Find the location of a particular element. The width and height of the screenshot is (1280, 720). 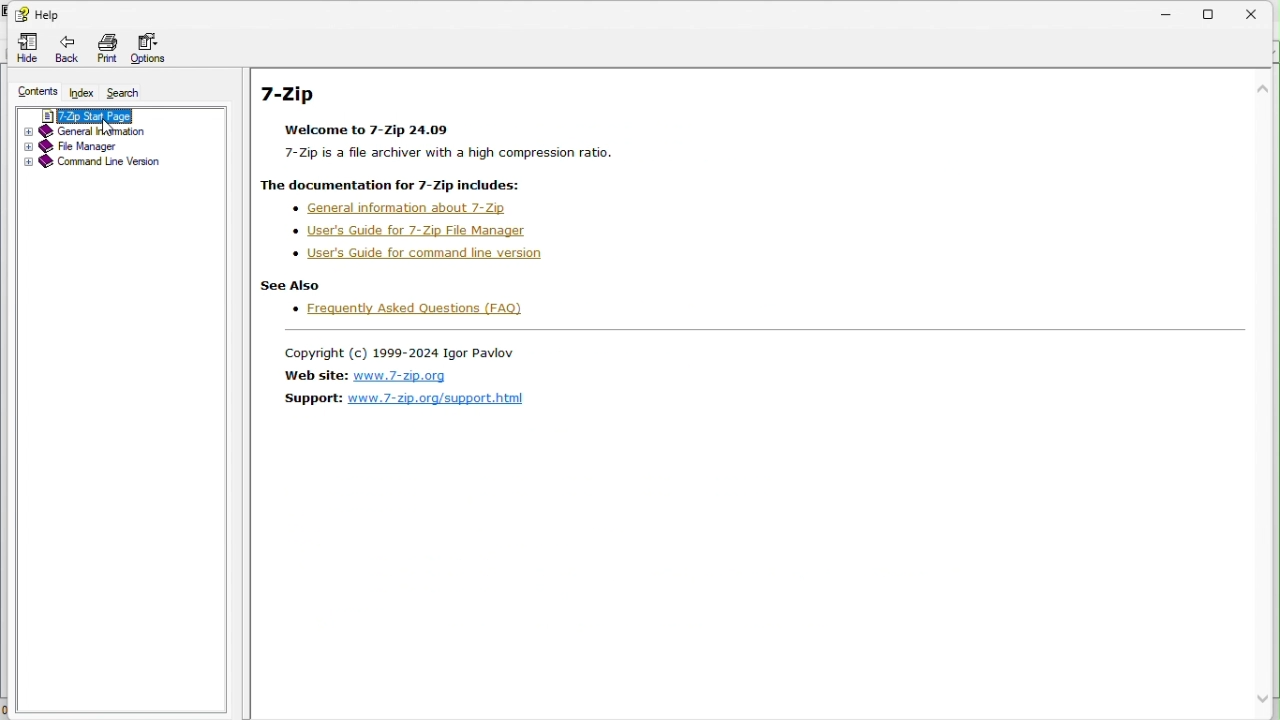

7 zip start page is located at coordinates (122, 113).